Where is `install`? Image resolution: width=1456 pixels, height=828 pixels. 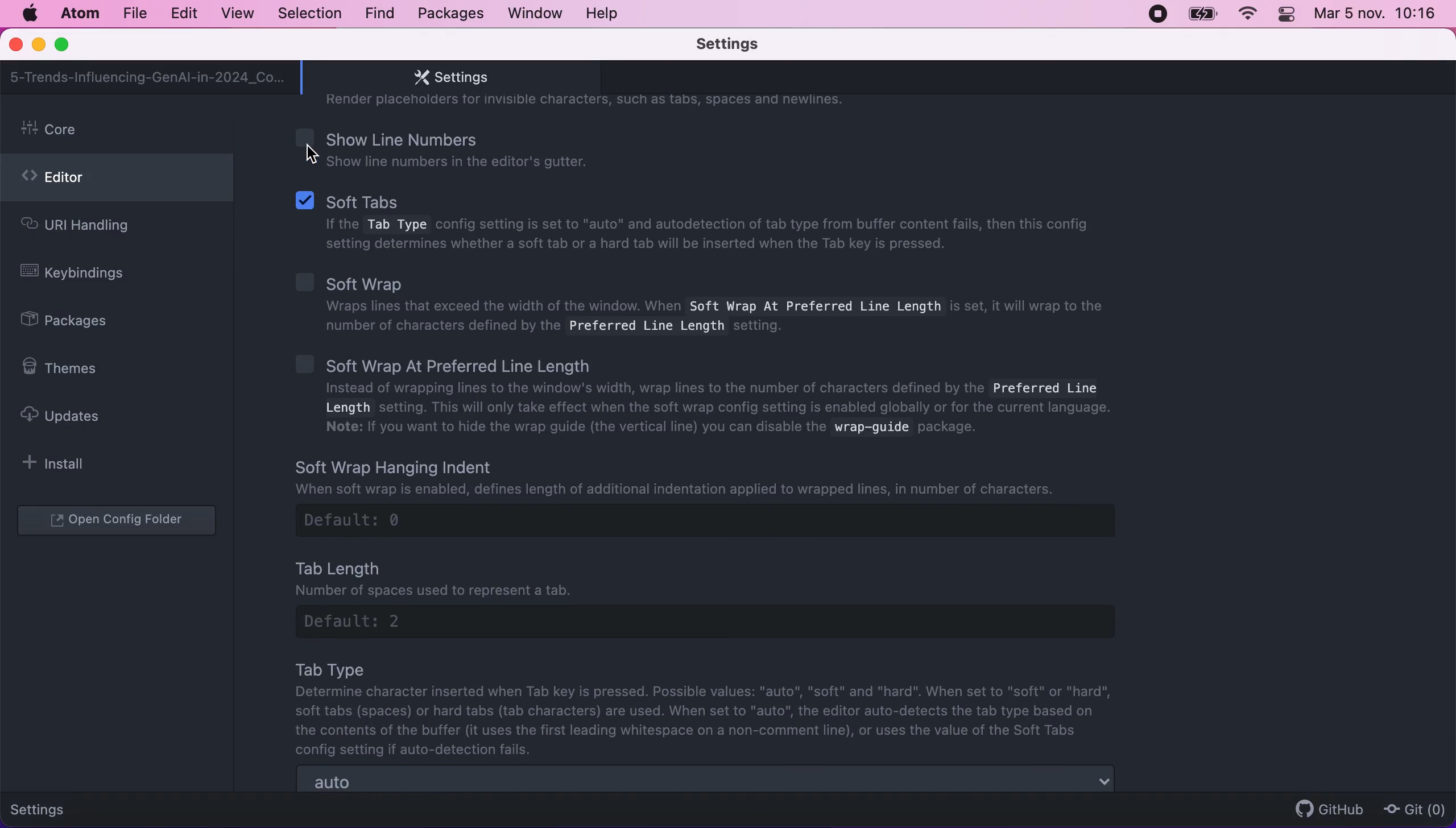 install is located at coordinates (60, 463).